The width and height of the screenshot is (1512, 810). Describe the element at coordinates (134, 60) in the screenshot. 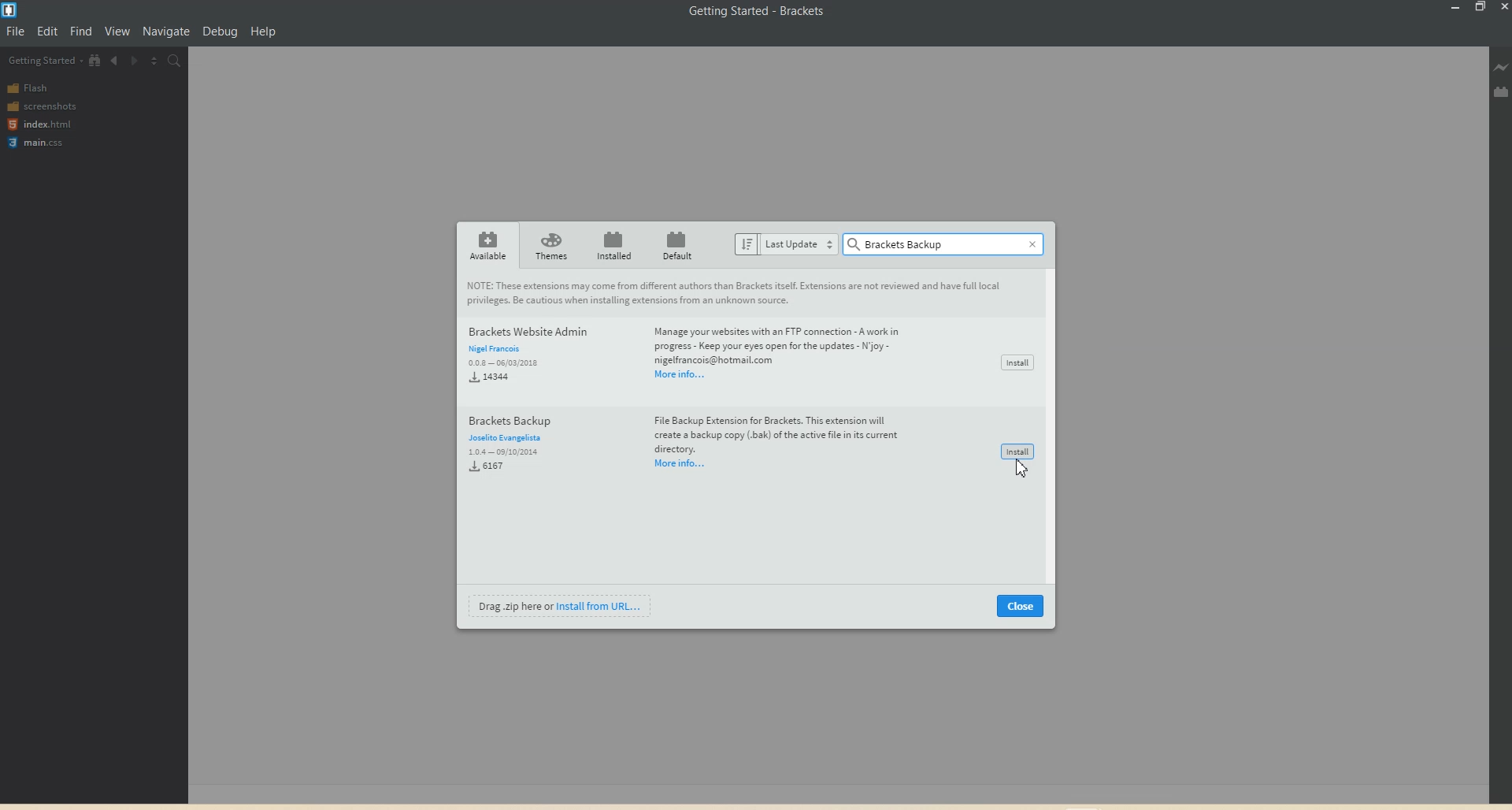

I see `Navigate Forwards` at that location.